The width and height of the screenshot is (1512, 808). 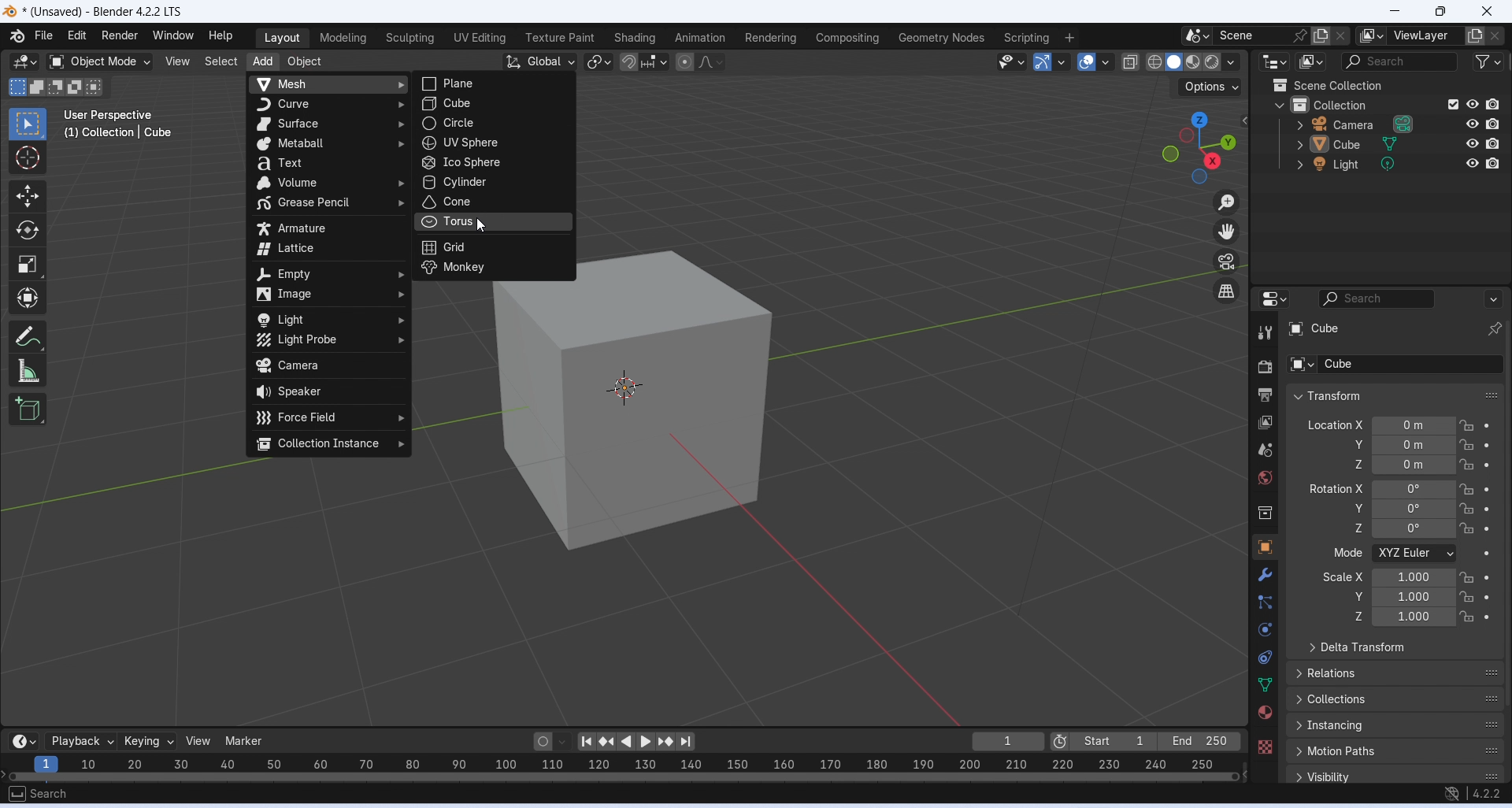 I want to click on Keying, so click(x=146, y=740).